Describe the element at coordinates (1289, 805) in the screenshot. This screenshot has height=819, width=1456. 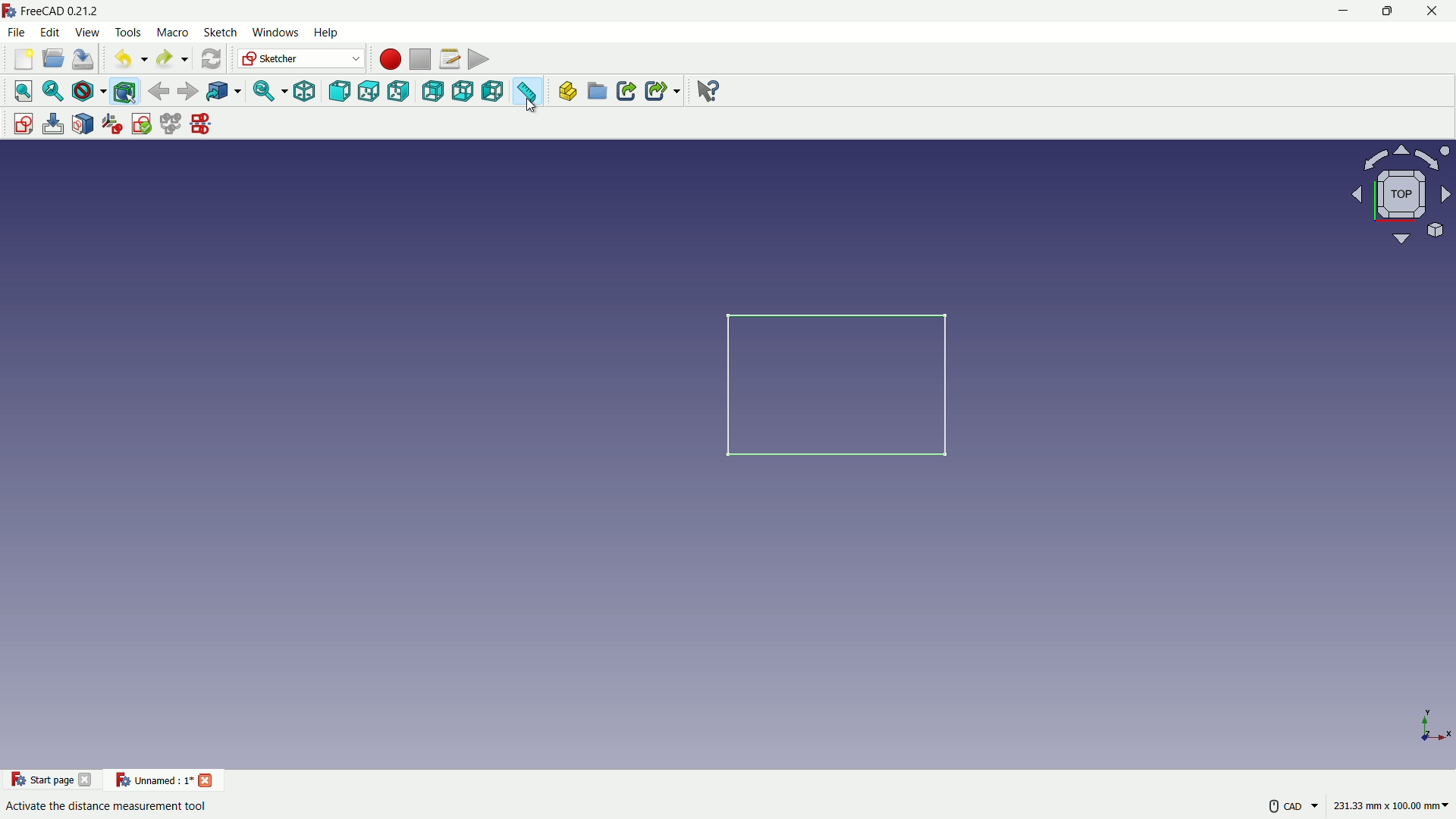
I see `more settings` at that location.